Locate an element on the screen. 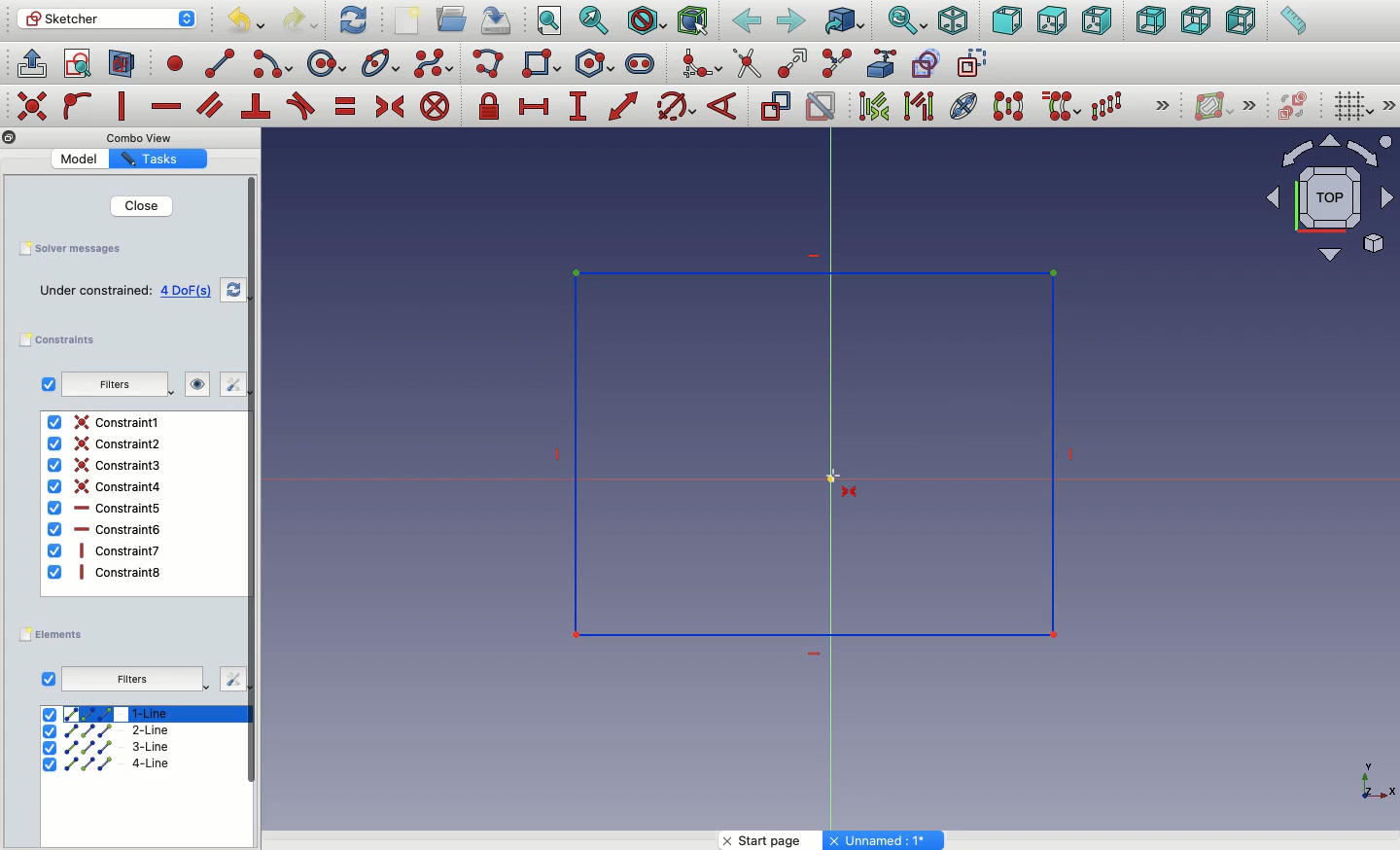 Image resolution: width=1400 pixels, height=850 pixels. Right is located at coordinates (1100, 20).